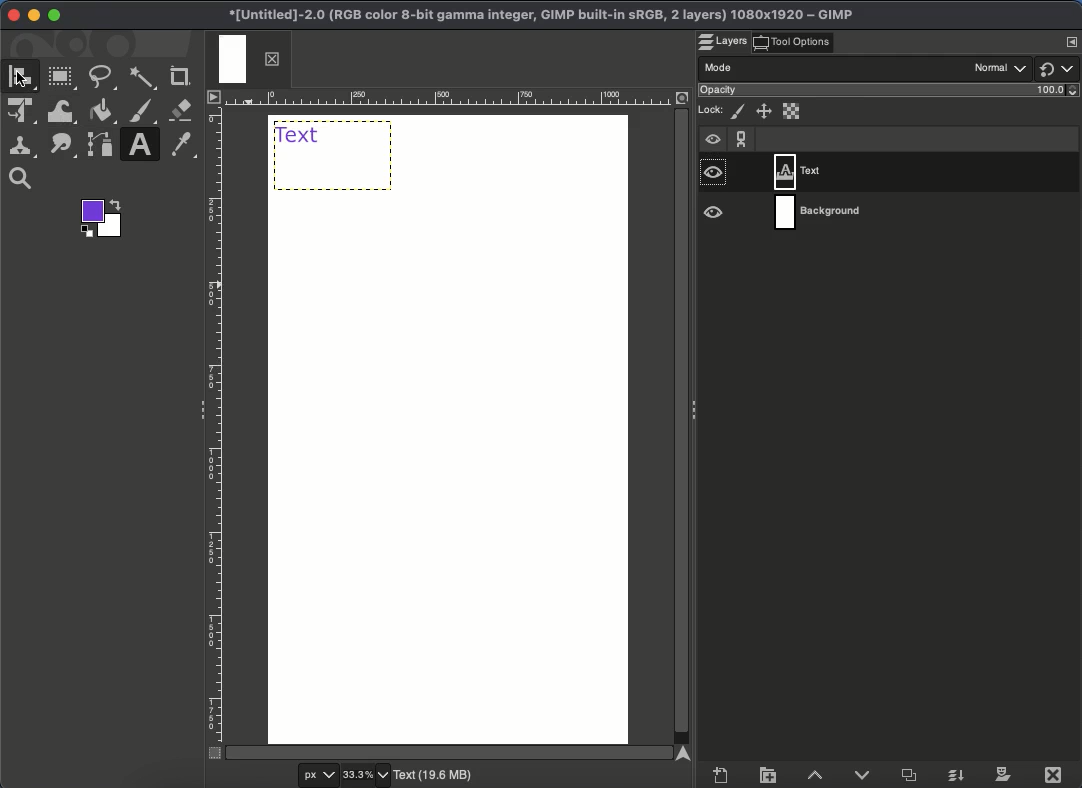 This screenshot has width=1082, height=788. I want to click on Create new layer, so click(719, 776).